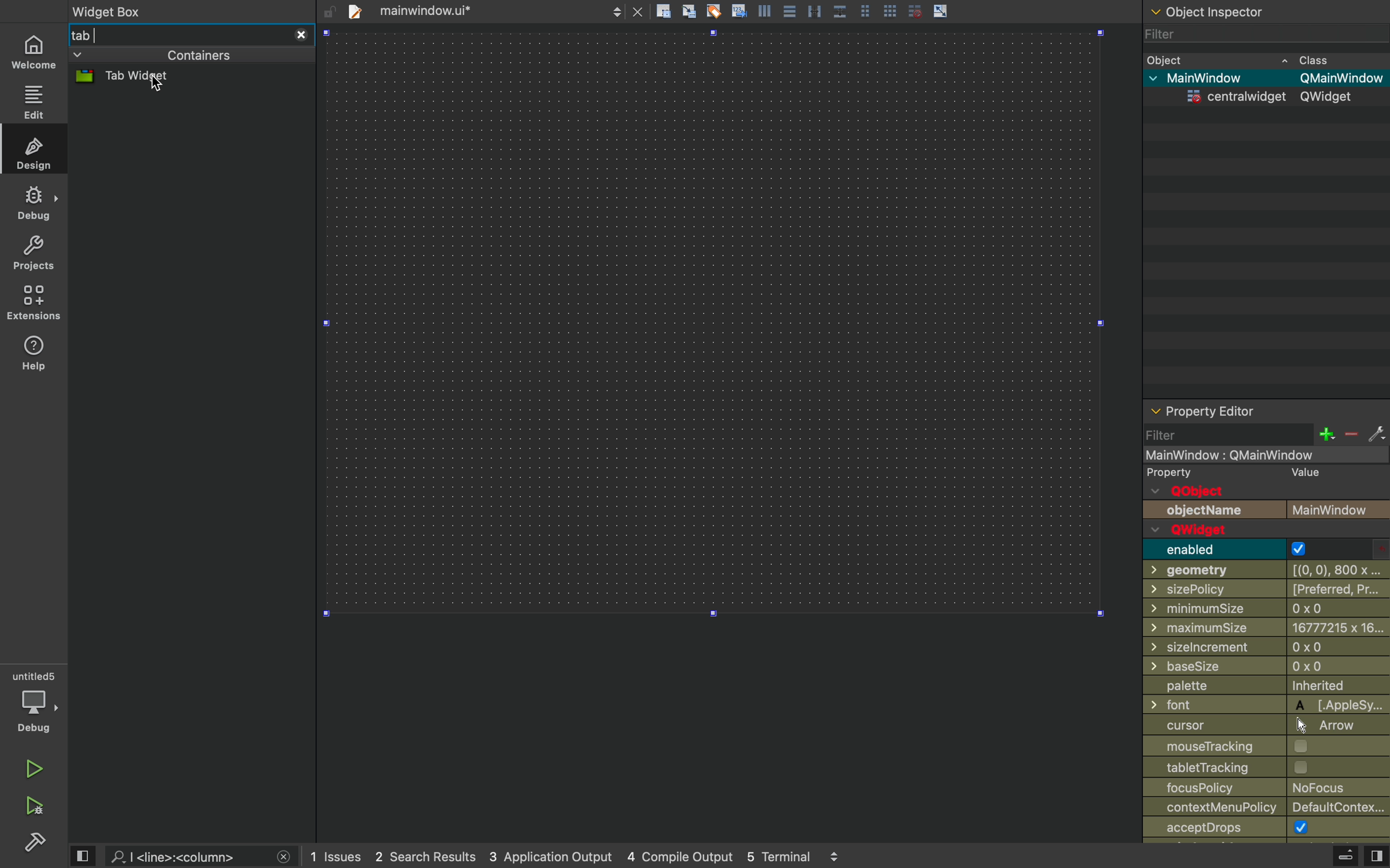  I want to click on property inspector, so click(1266, 410).